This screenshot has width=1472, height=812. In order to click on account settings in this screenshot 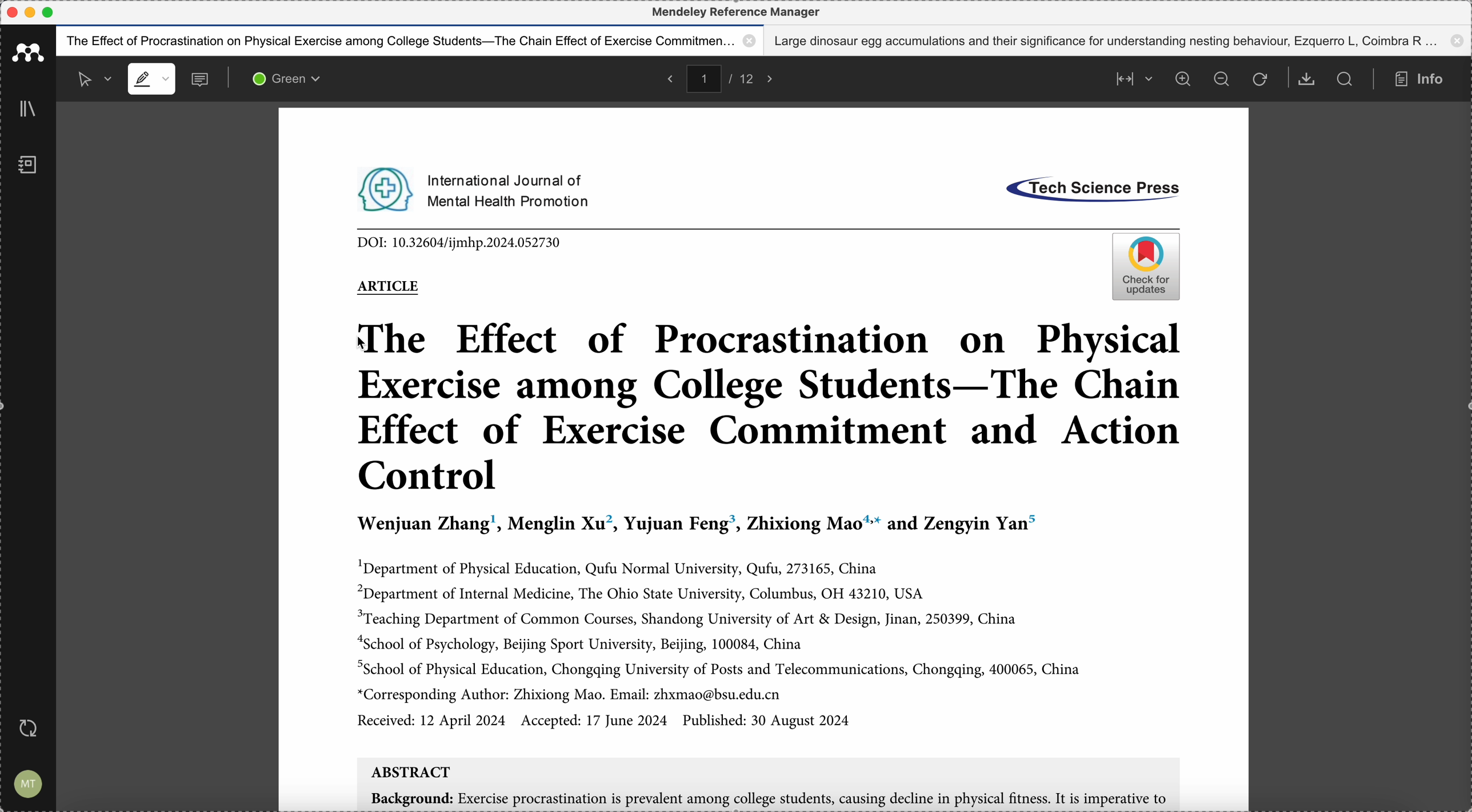, I will do `click(29, 782)`.